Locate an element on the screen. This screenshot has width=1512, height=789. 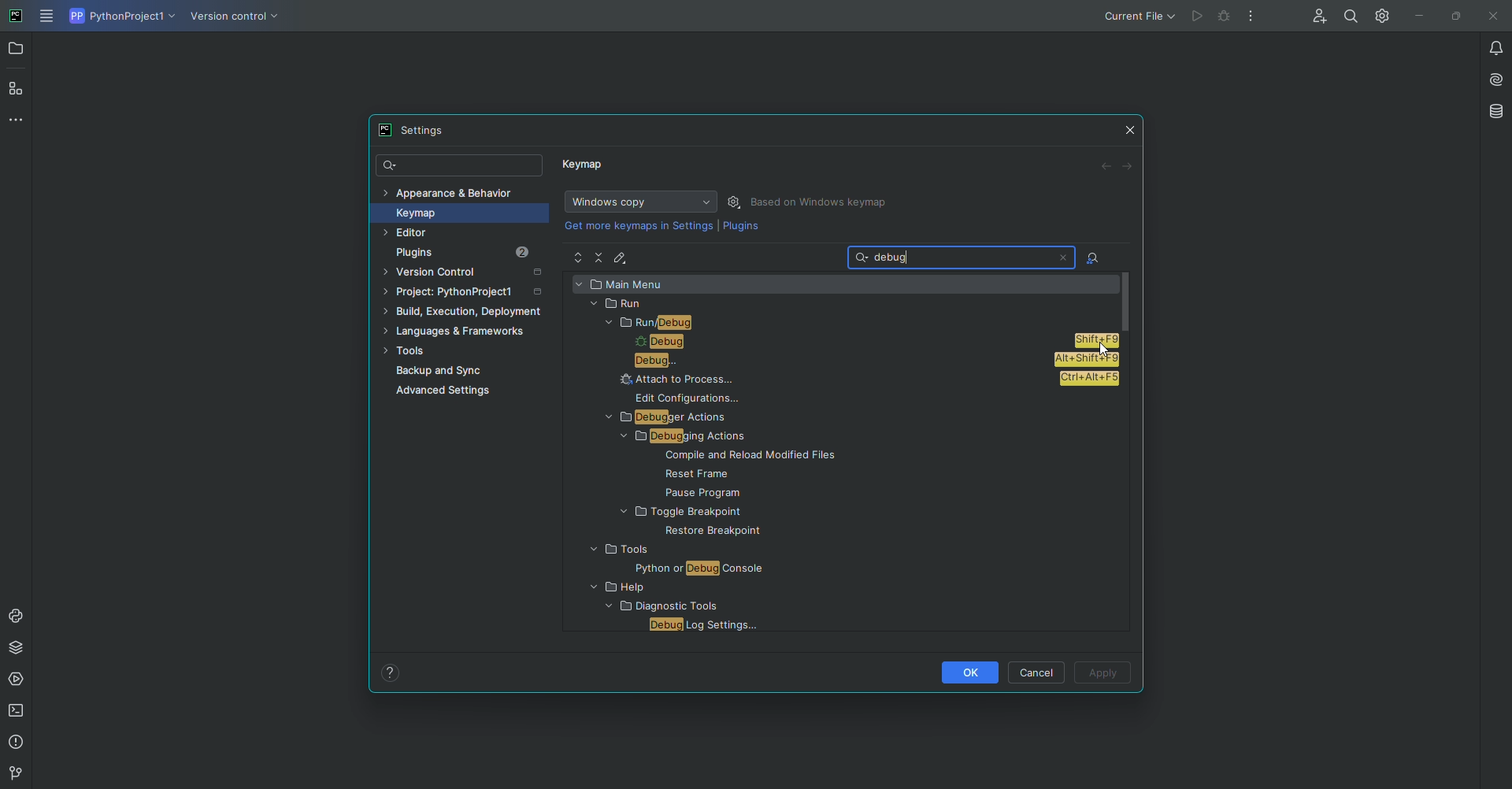
FILE NAME is located at coordinates (754, 457).